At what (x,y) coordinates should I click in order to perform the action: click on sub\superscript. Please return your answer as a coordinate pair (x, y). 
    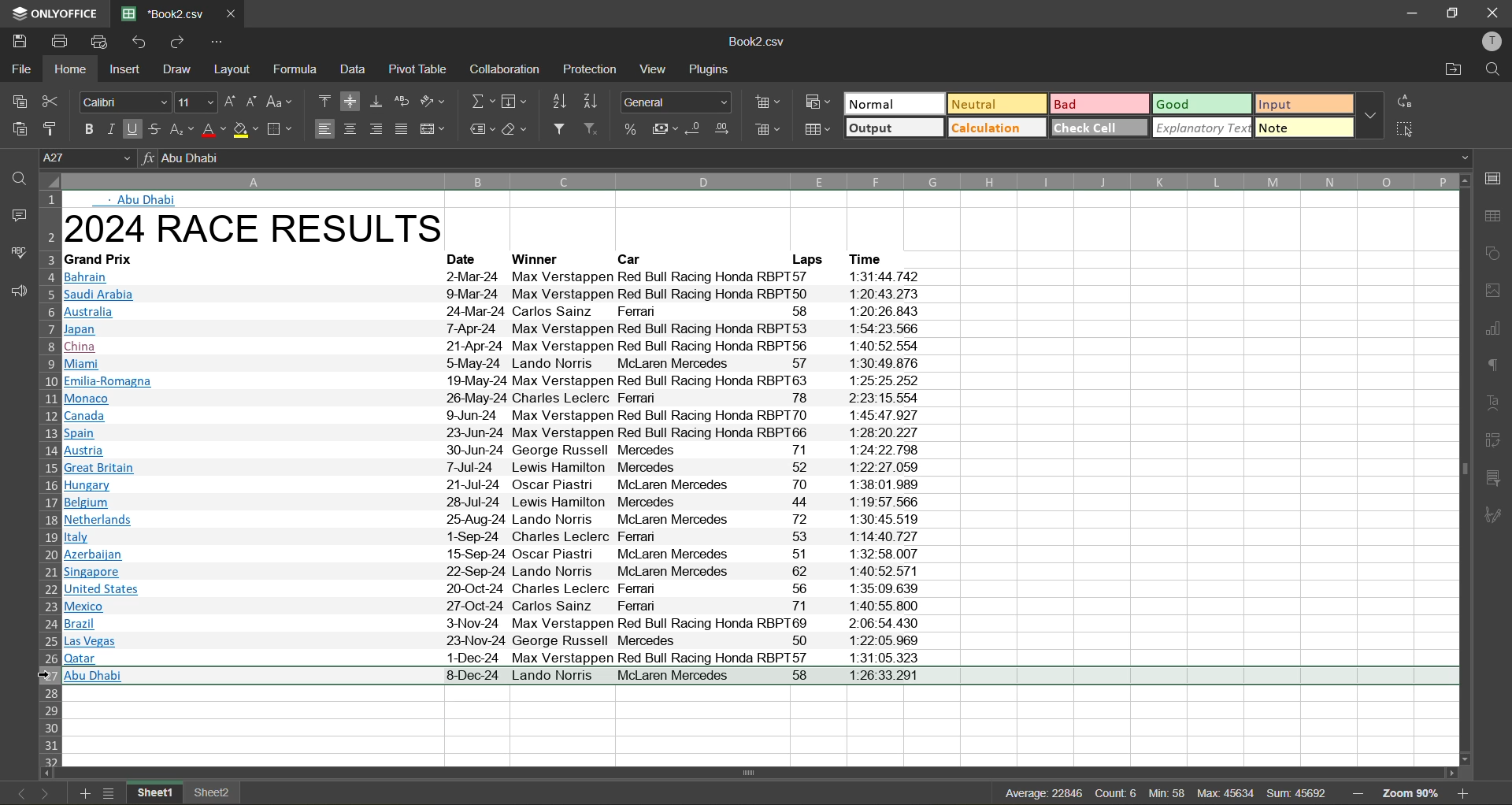
    Looking at the image, I should click on (180, 131).